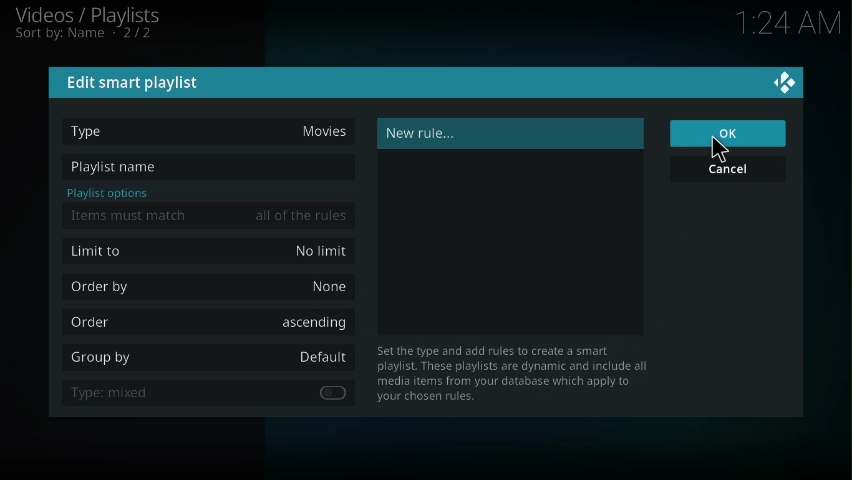  Describe the element at coordinates (325, 131) in the screenshot. I see `movies` at that location.